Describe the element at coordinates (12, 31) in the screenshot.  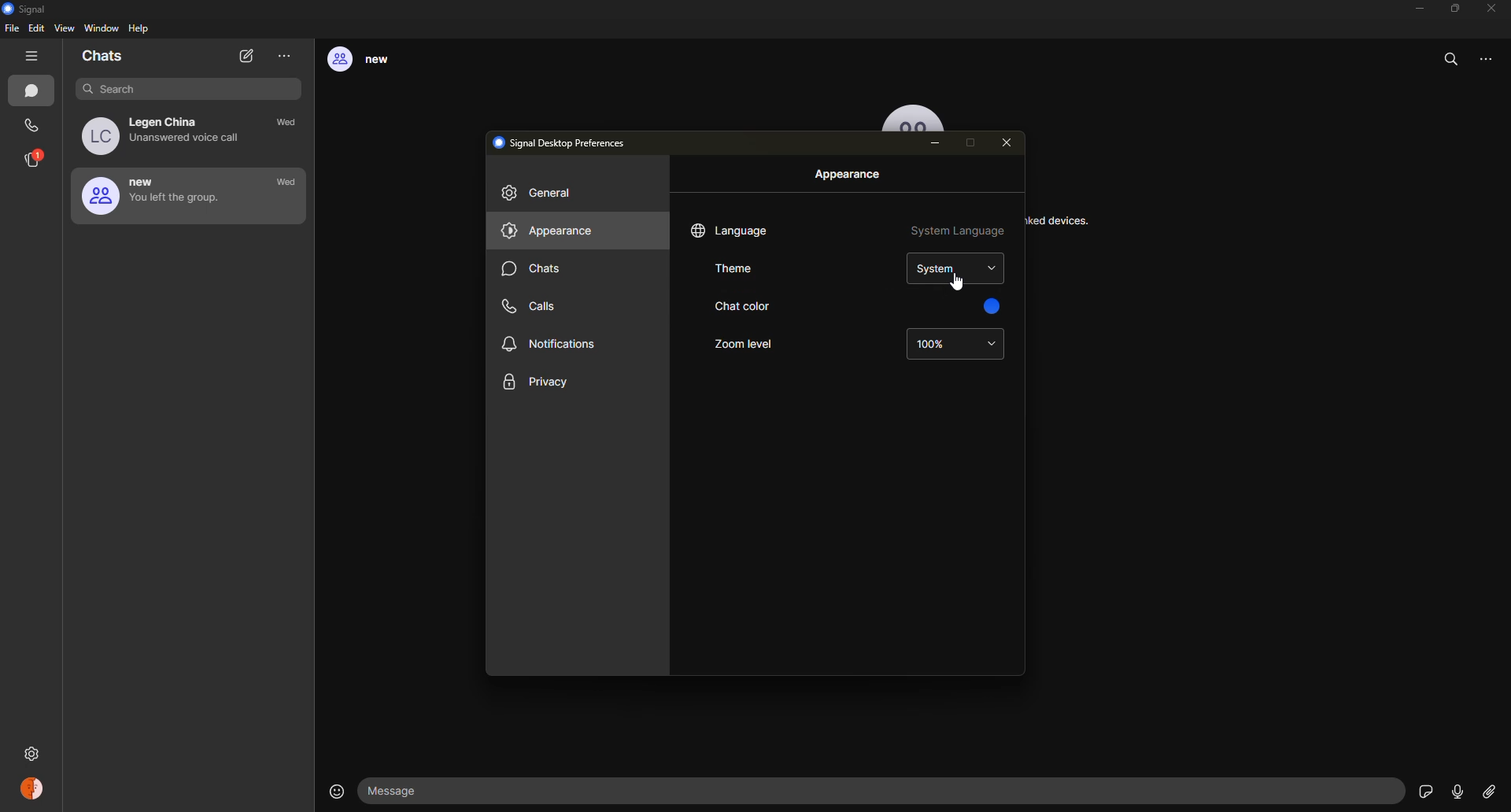
I see `file` at that location.